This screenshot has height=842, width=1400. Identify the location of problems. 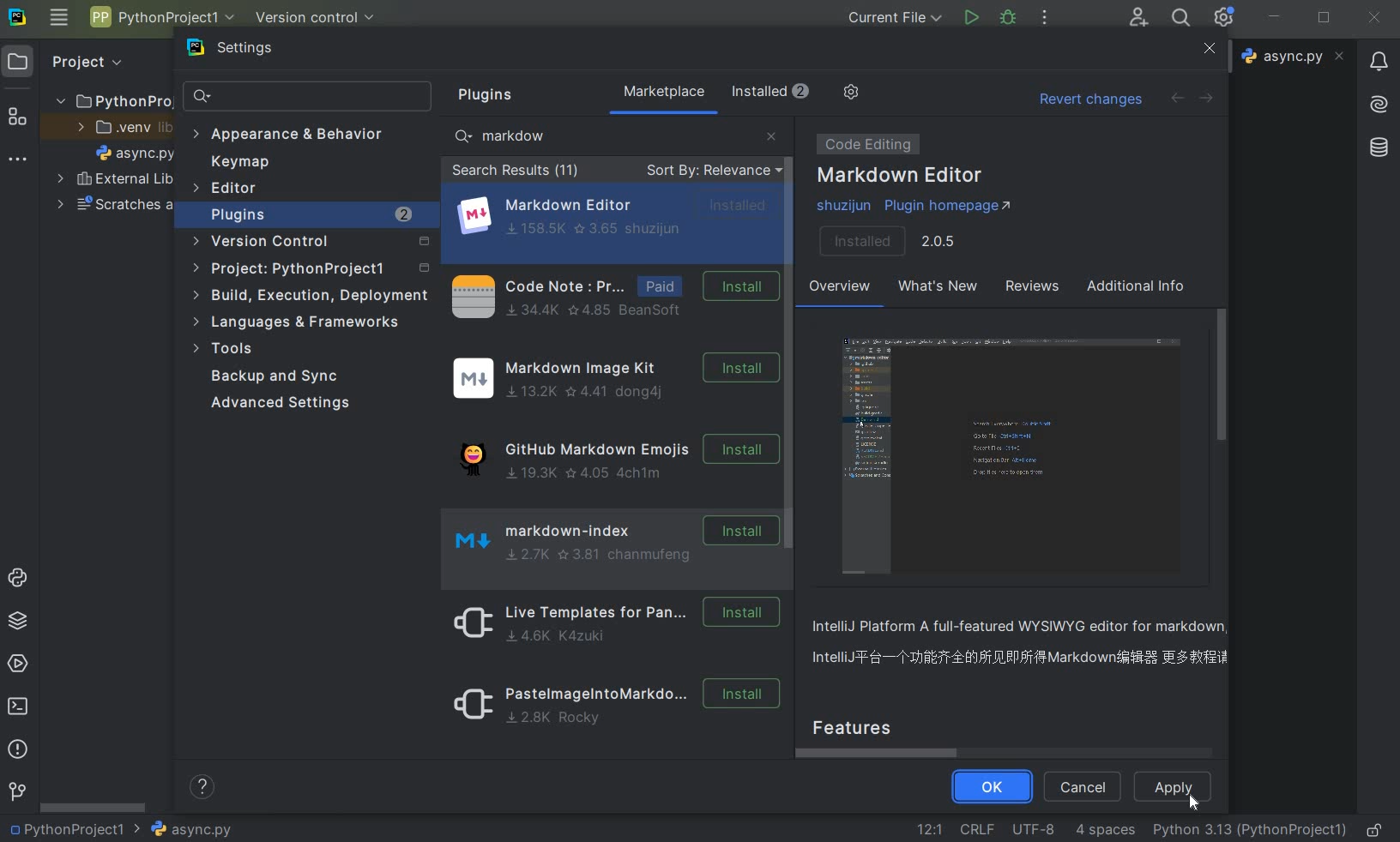
(17, 749).